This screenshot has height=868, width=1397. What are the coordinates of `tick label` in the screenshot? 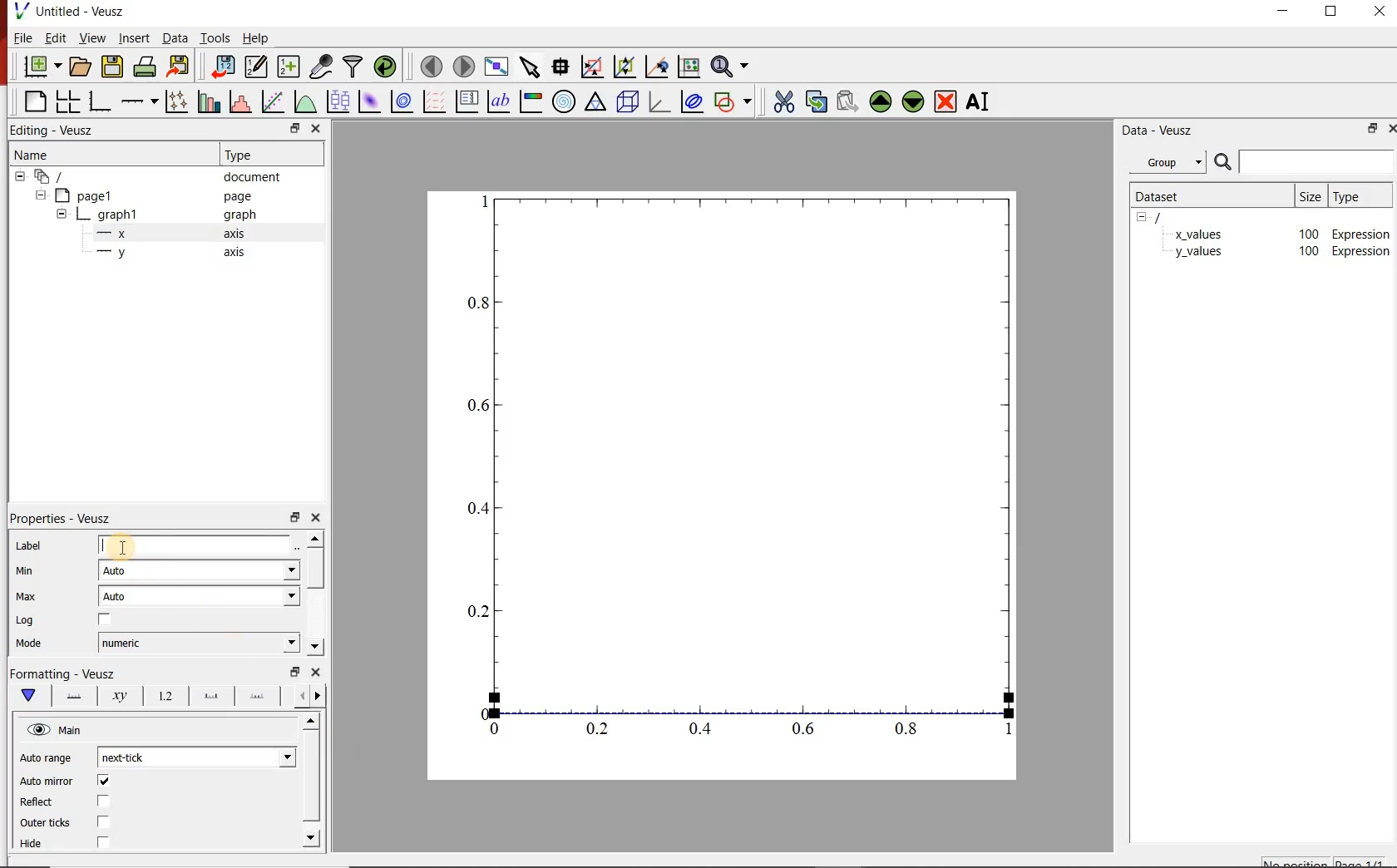 It's located at (167, 696).